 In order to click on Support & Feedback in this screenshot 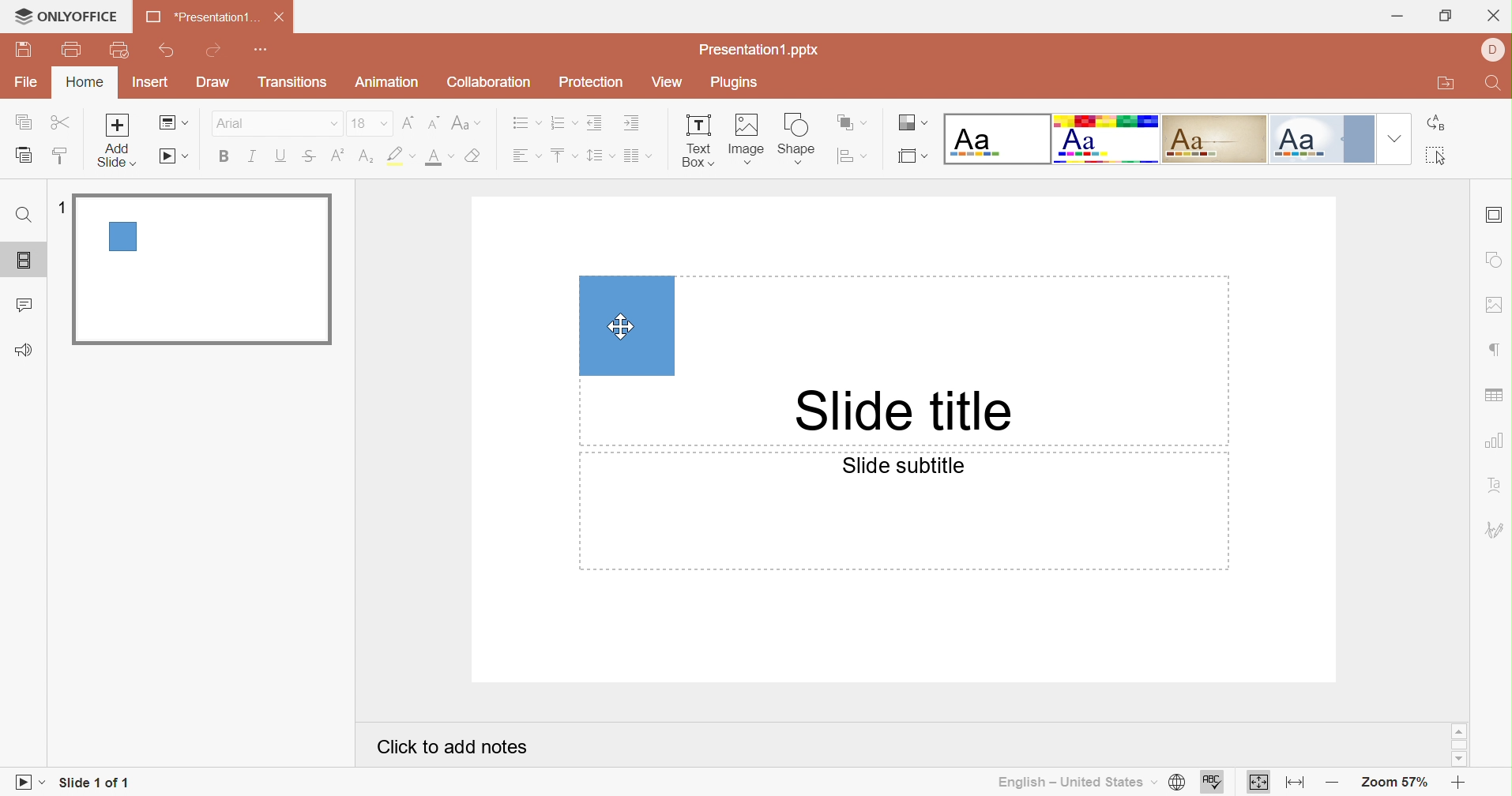, I will do `click(23, 351)`.